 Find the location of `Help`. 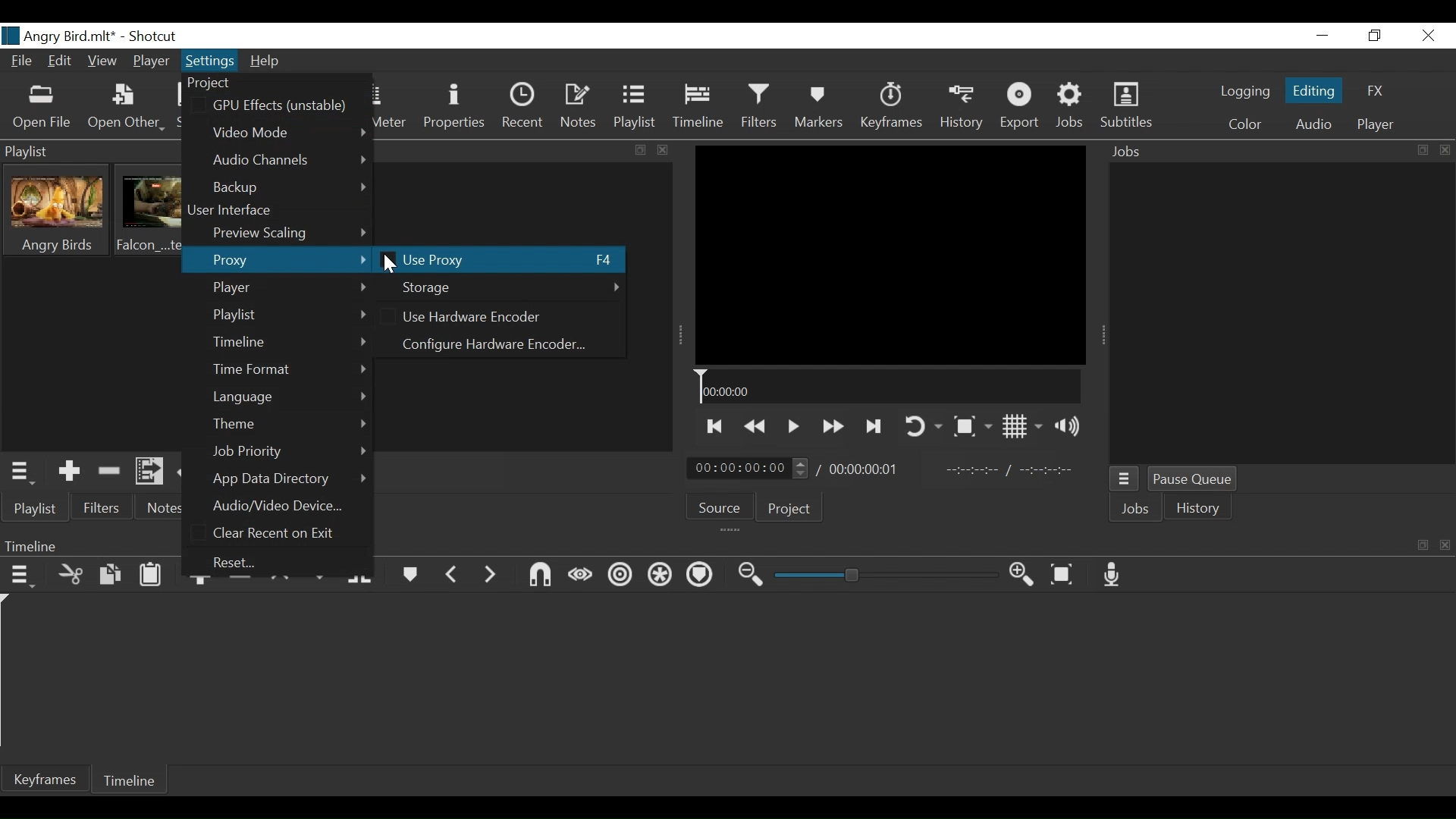

Help is located at coordinates (268, 62).